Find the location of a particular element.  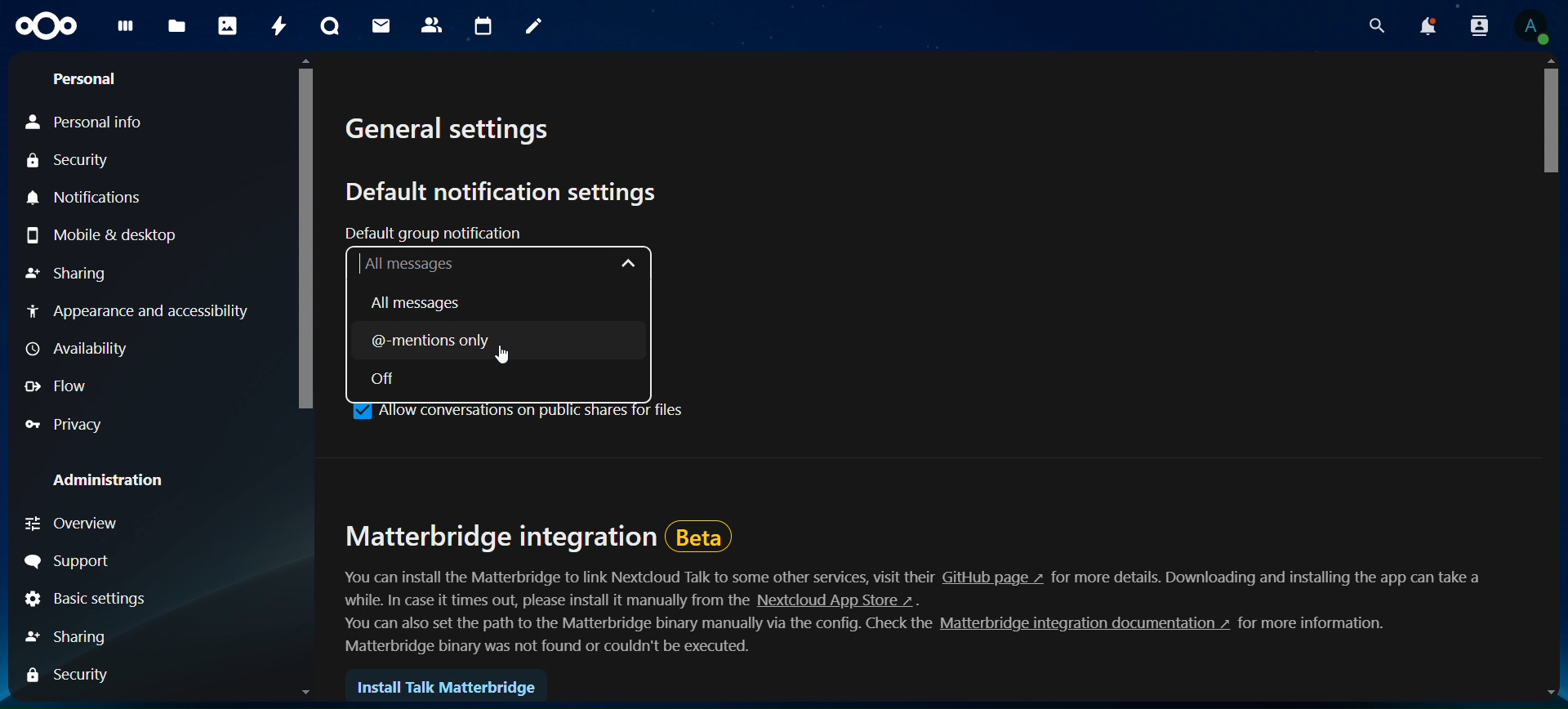

text is located at coordinates (1270, 576).